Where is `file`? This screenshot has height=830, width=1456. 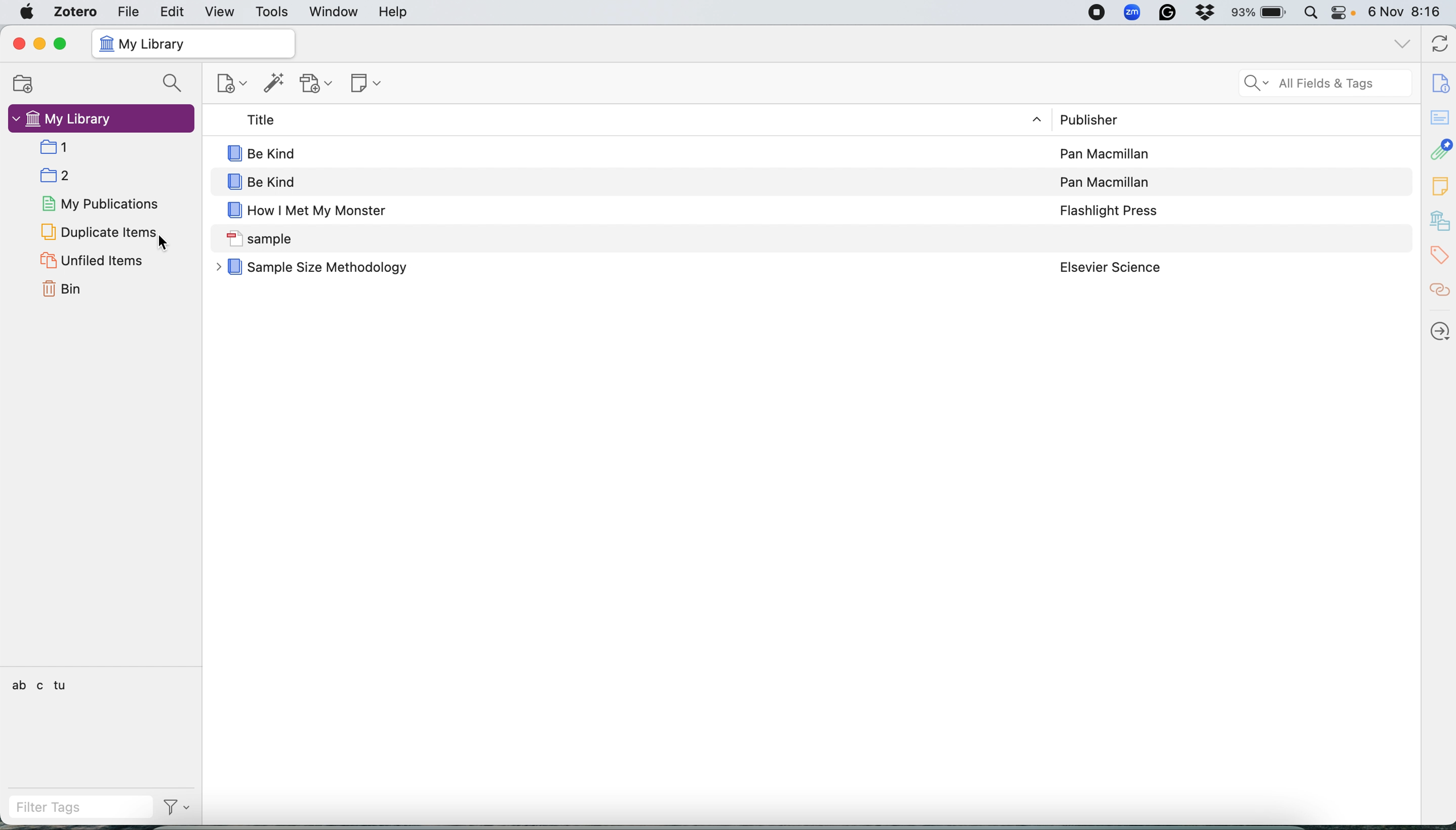 file is located at coordinates (131, 13).